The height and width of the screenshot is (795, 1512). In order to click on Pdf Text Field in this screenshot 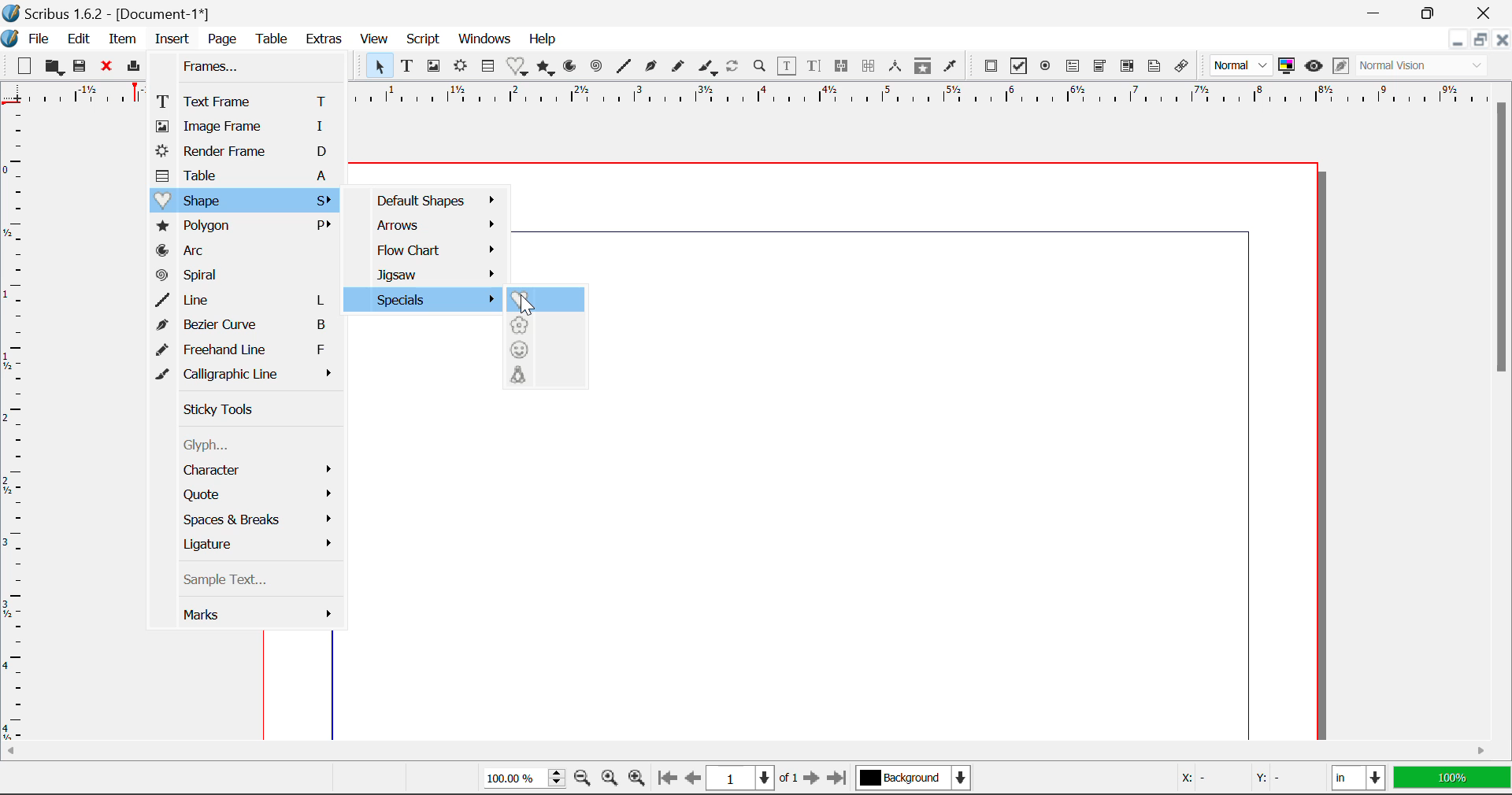, I will do `click(1073, 68)`.